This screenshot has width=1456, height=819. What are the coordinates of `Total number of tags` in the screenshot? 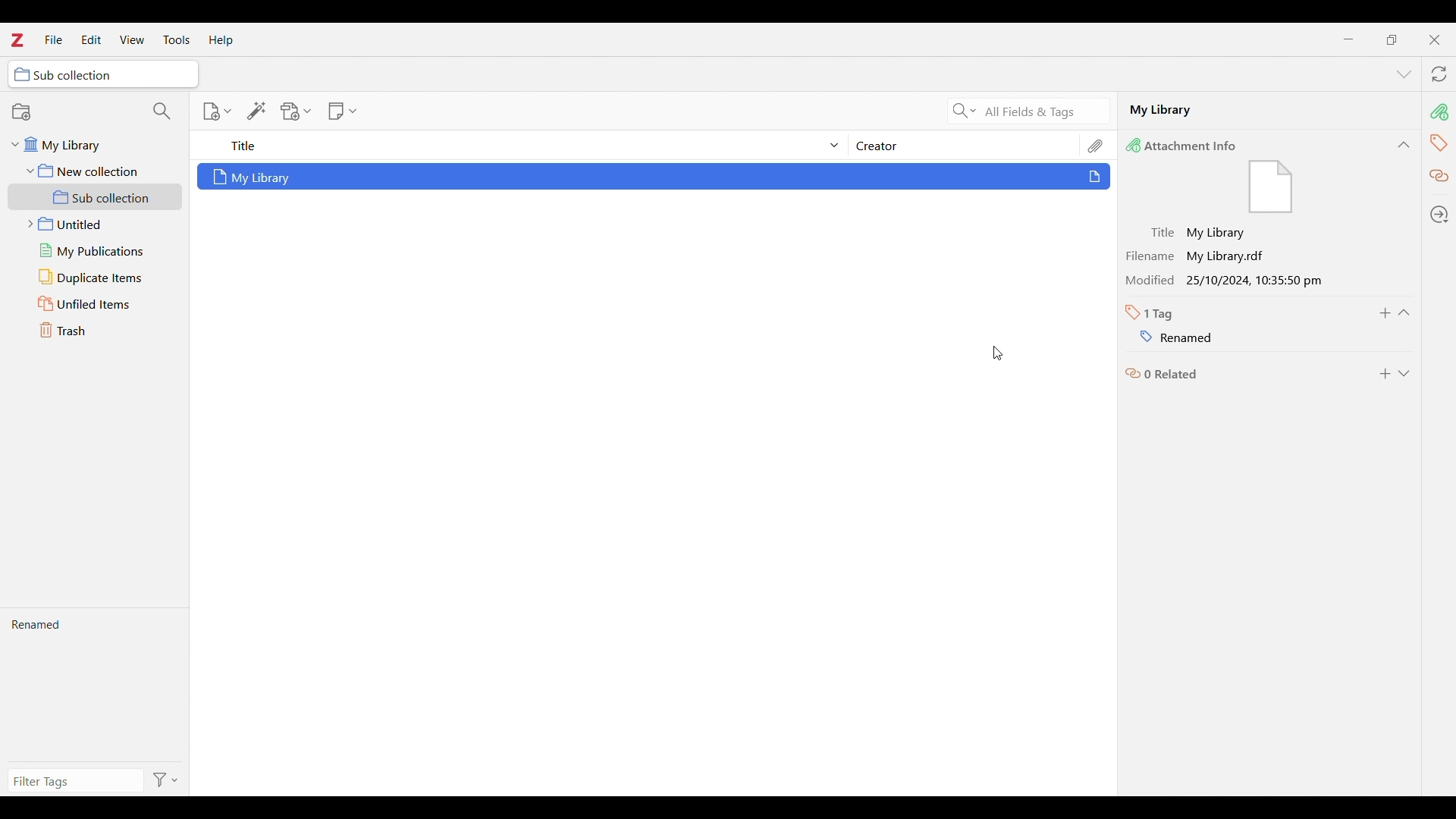 It's located at (1150, 312).